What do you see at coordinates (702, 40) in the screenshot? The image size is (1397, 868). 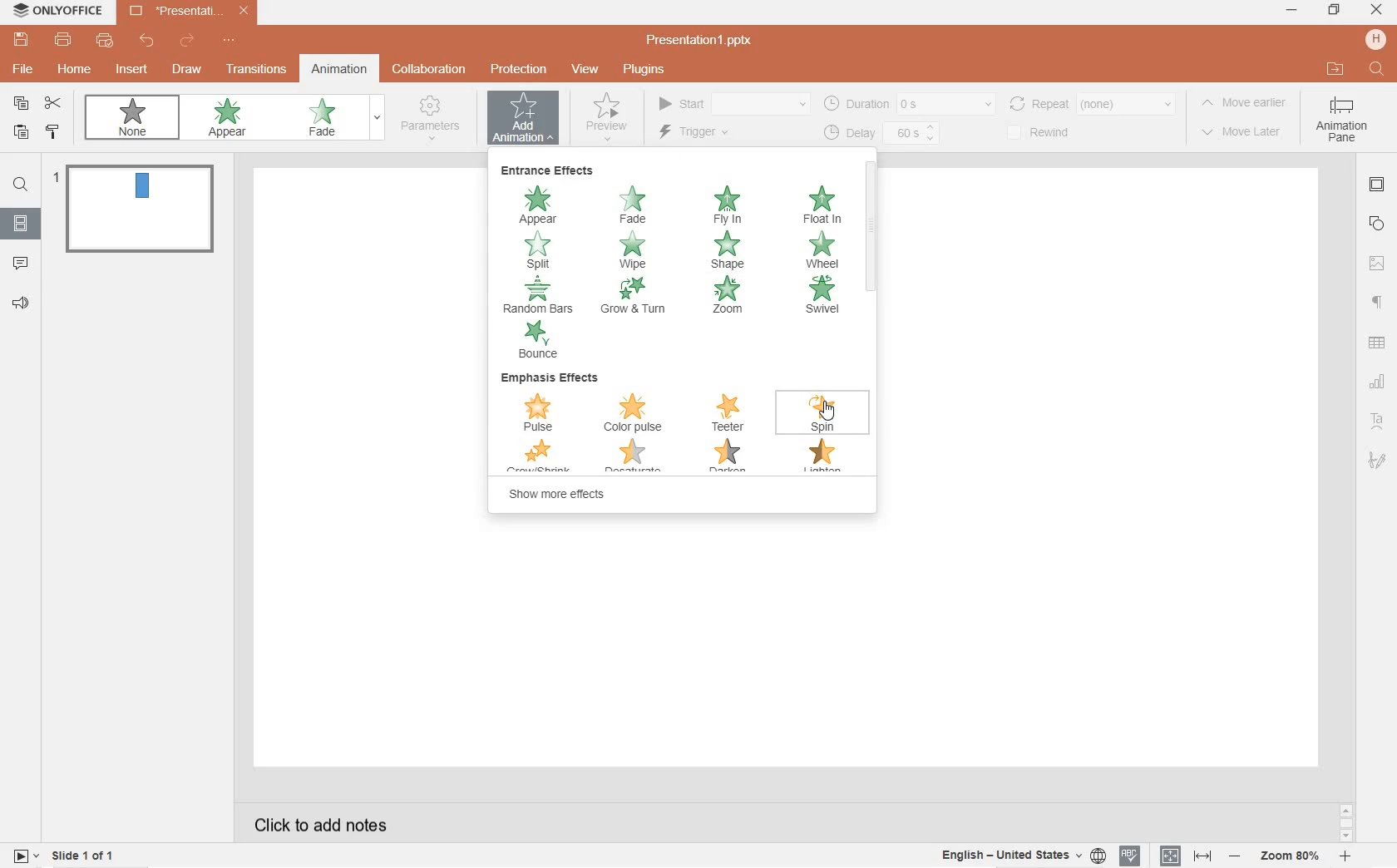 I see `Presentation1.pptx` at bounding box center [702, 40].